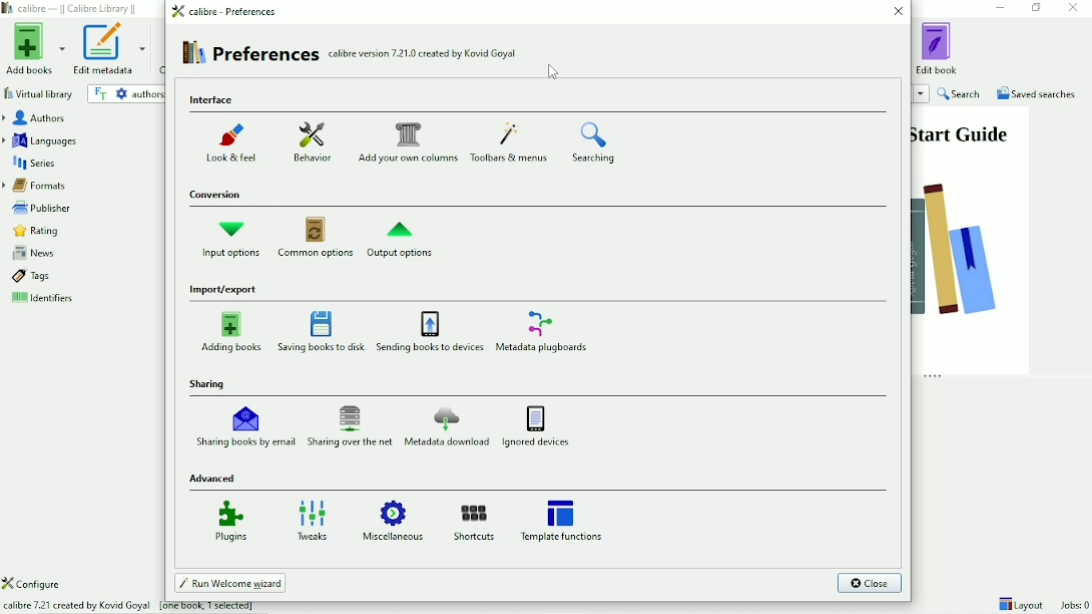 The height and width of the screenshot is (614, 1092). What do you see at coordinates (350, 426) in the screenshot?
I see `Sharing over the net` at bounding box center [350, 426].